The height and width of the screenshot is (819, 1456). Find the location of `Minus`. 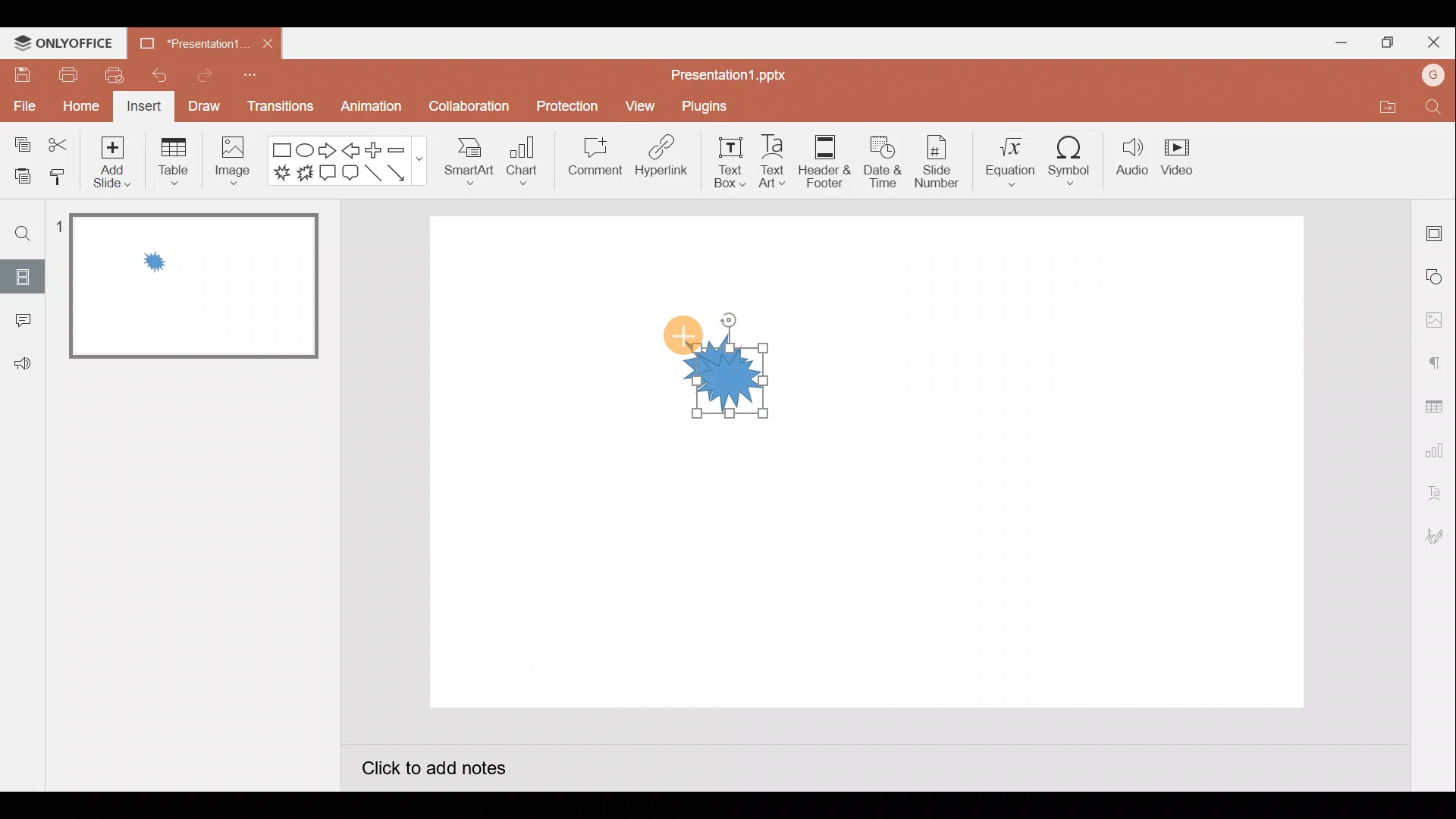

Minus is located at coordinates (400, 148).